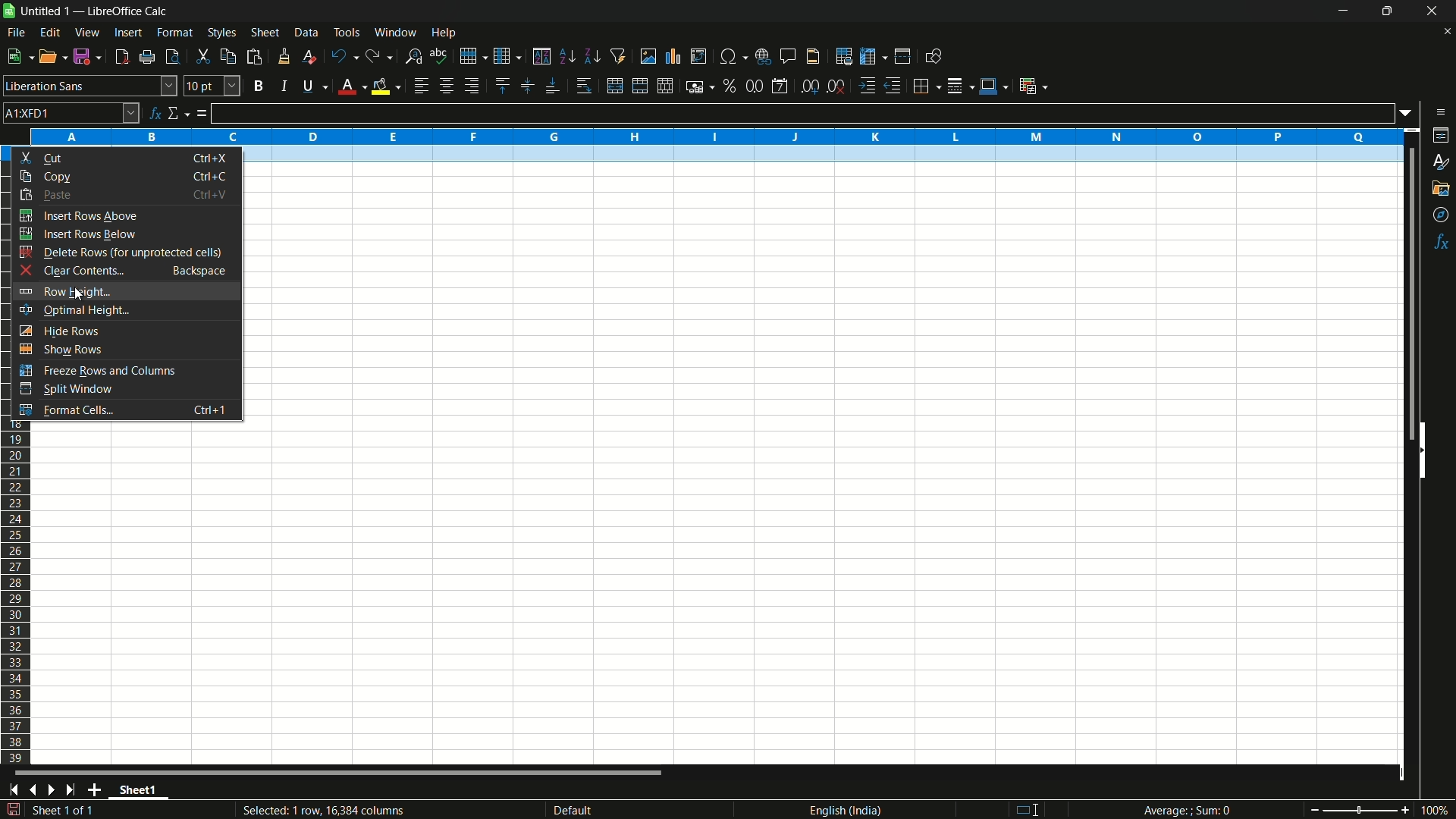 This screenshot has width=1456, height=819. I want to click on format menu, so click(175, 33).